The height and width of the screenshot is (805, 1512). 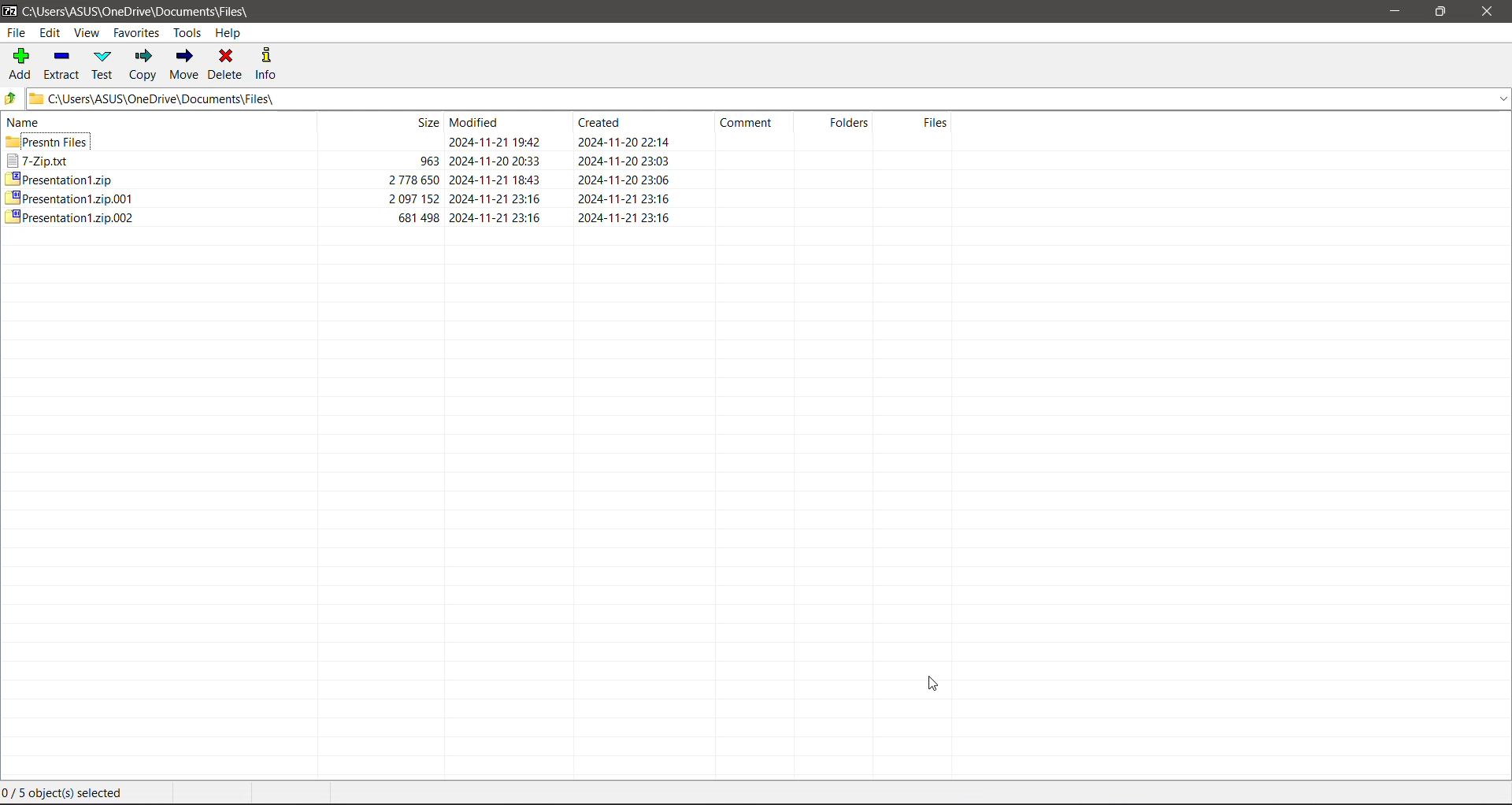 I want to click on Move, so click(x=183, y=65).